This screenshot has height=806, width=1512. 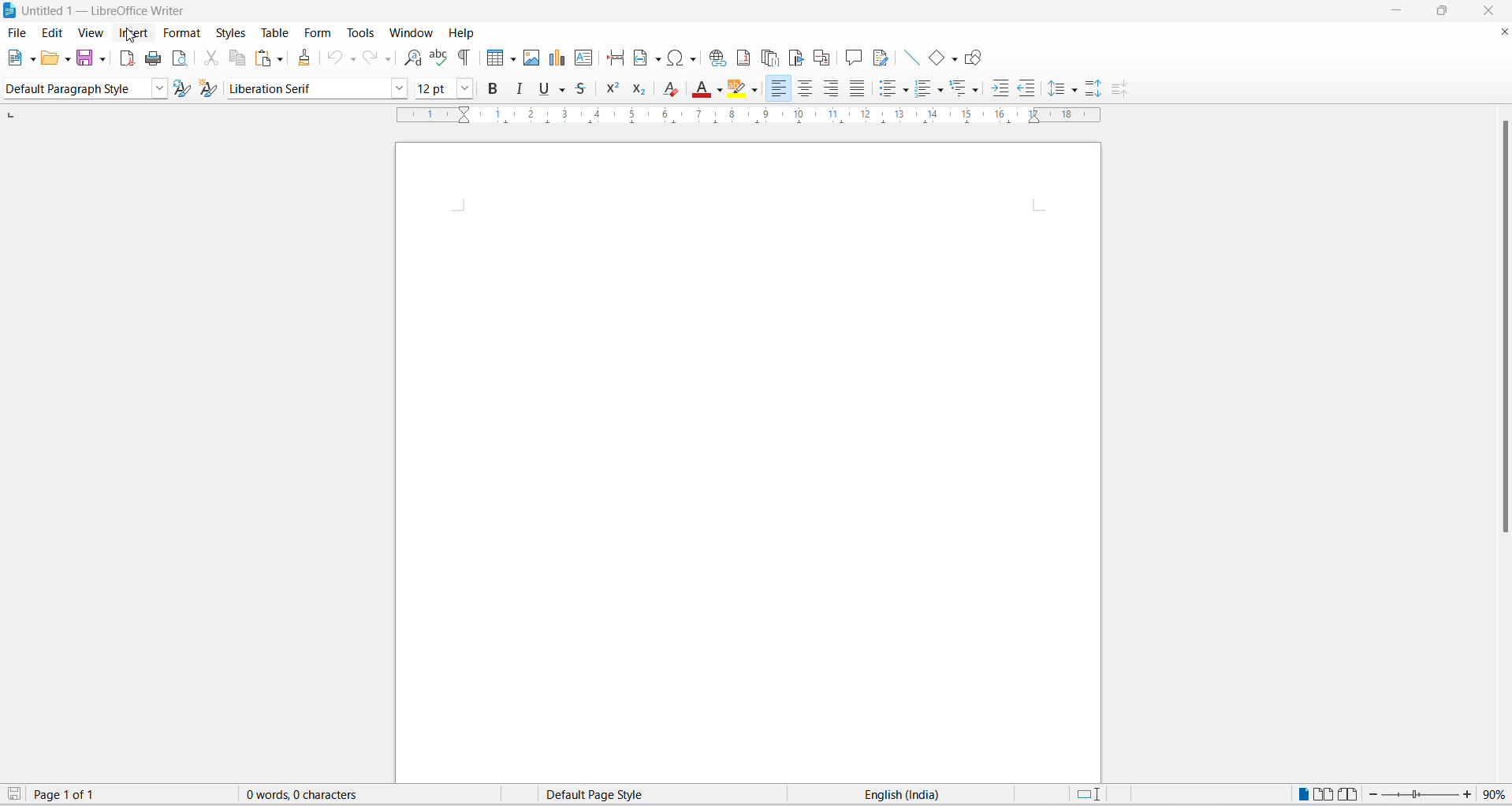 What do you see at coordinates (683, 58) in the screenshot?
I see `insert special characters` at bounding box center [683, 58].